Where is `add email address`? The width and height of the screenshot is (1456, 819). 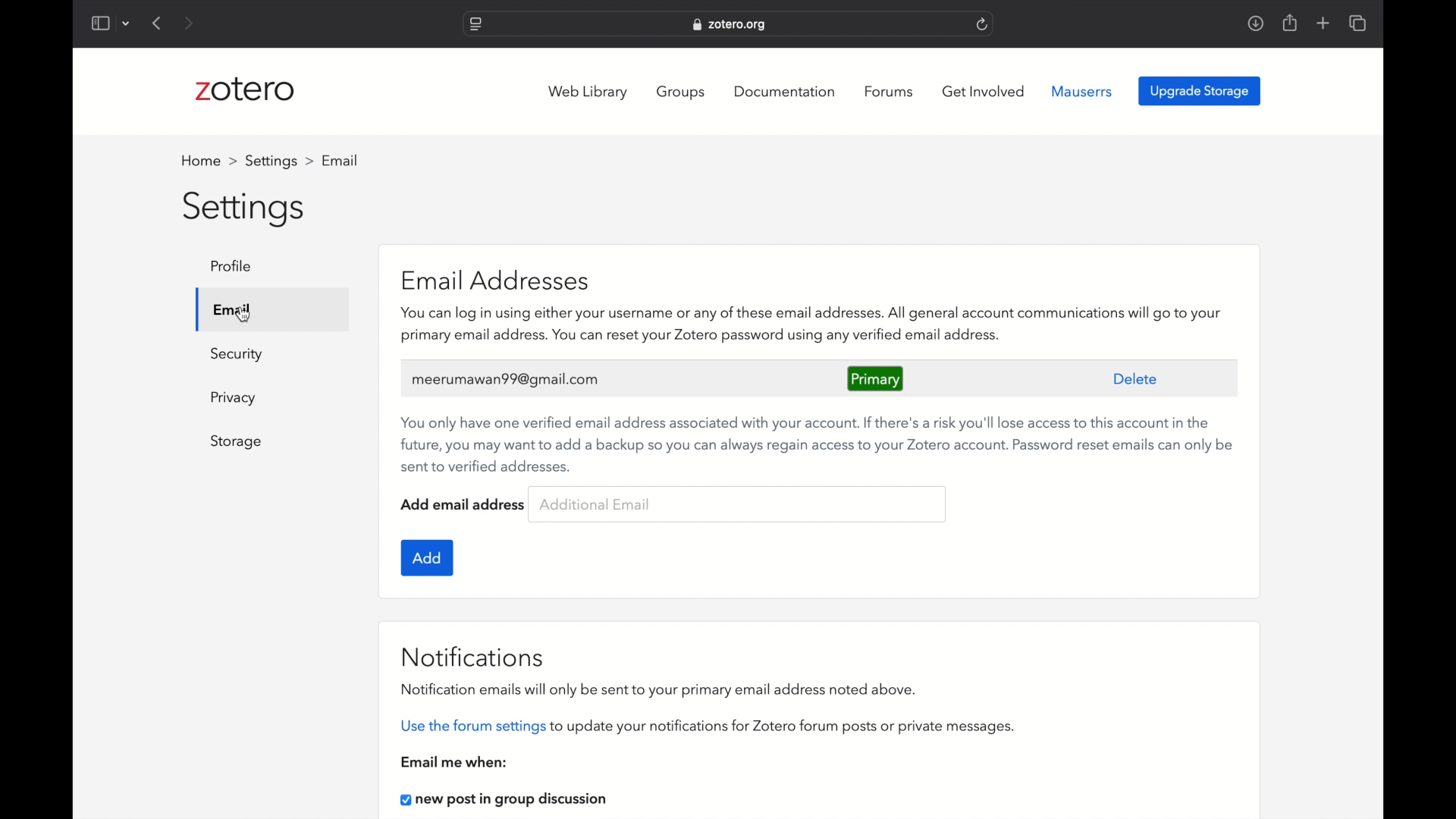
add email address is located at coordinates (464, 504).